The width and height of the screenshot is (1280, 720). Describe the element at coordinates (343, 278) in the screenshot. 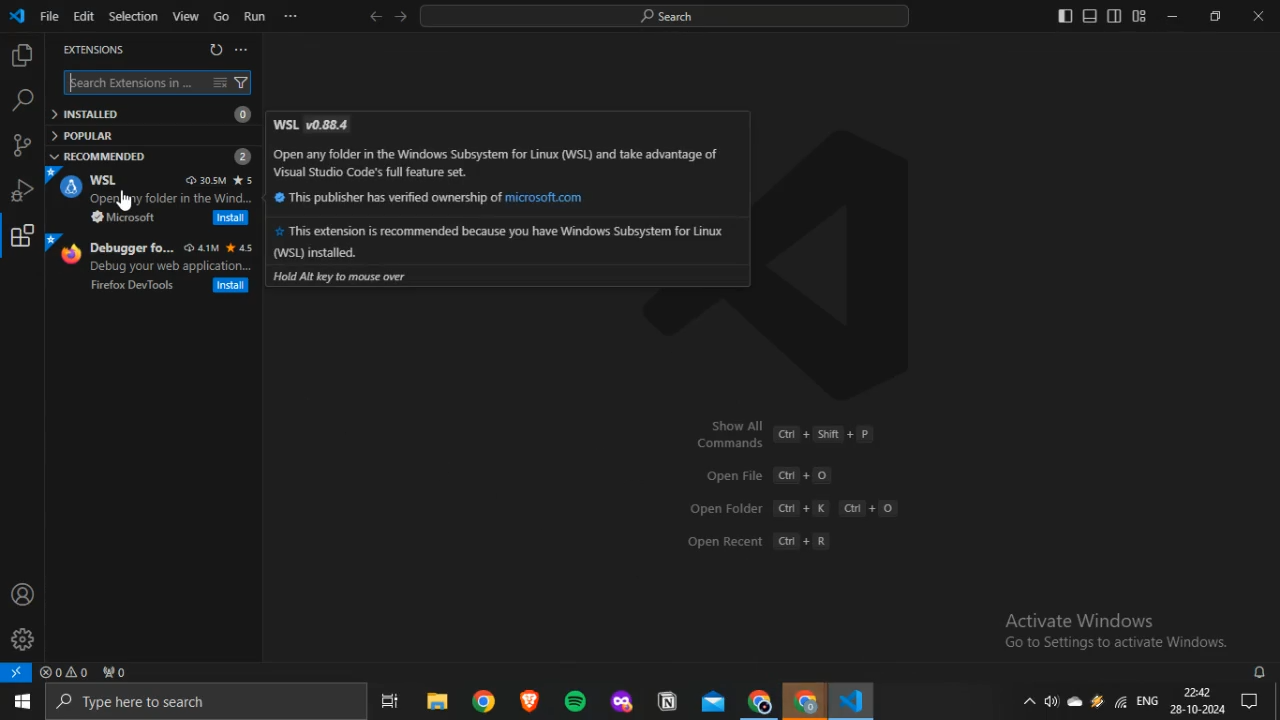

I see `Hold Alt key to mouse over` at that location.